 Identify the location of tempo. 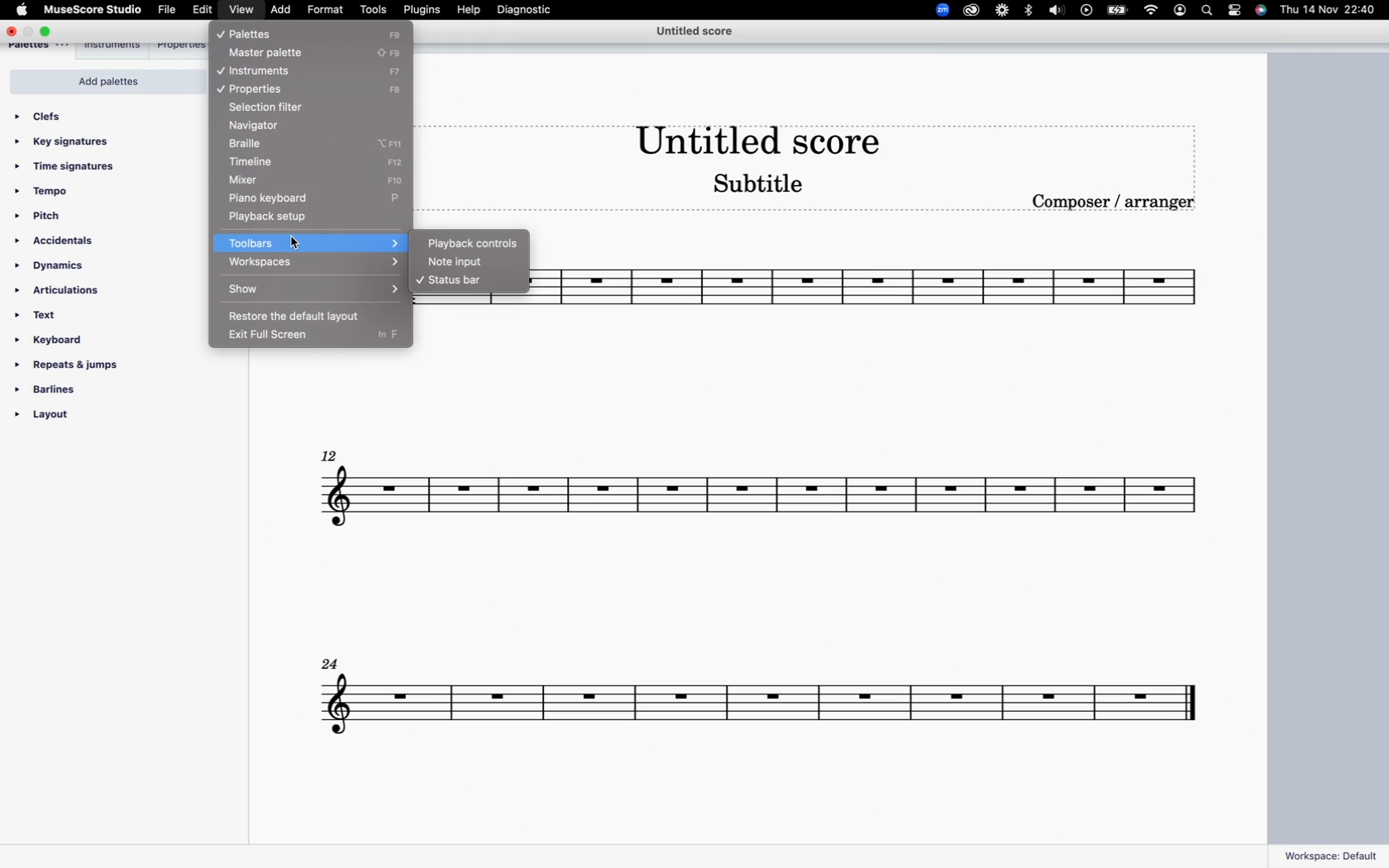
(49, 192).